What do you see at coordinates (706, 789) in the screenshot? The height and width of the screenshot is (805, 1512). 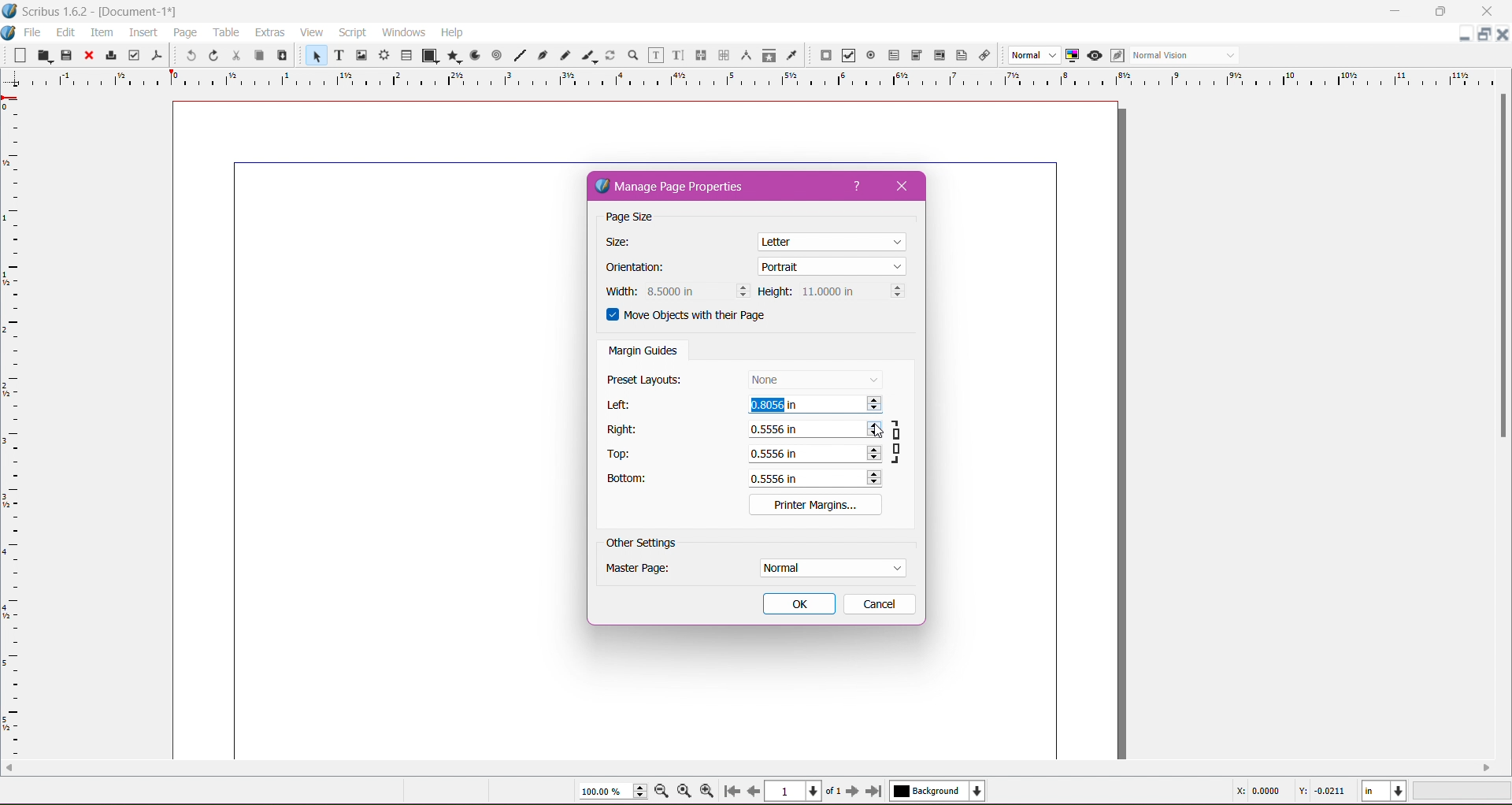 I see `Zoom In by the stepping value in Tools preferences` at bounding box center [706, 789].